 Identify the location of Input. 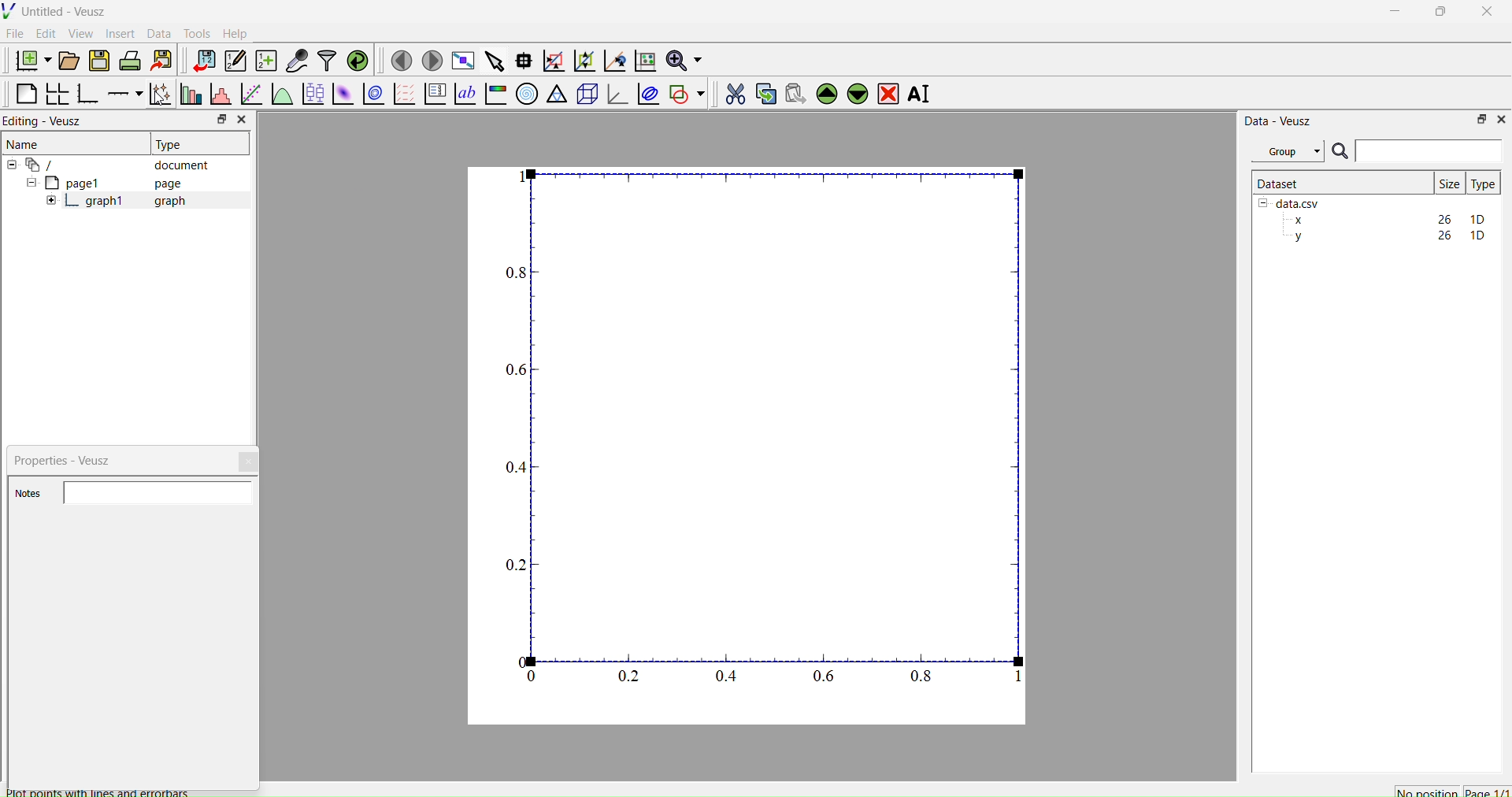
(1429, 150).